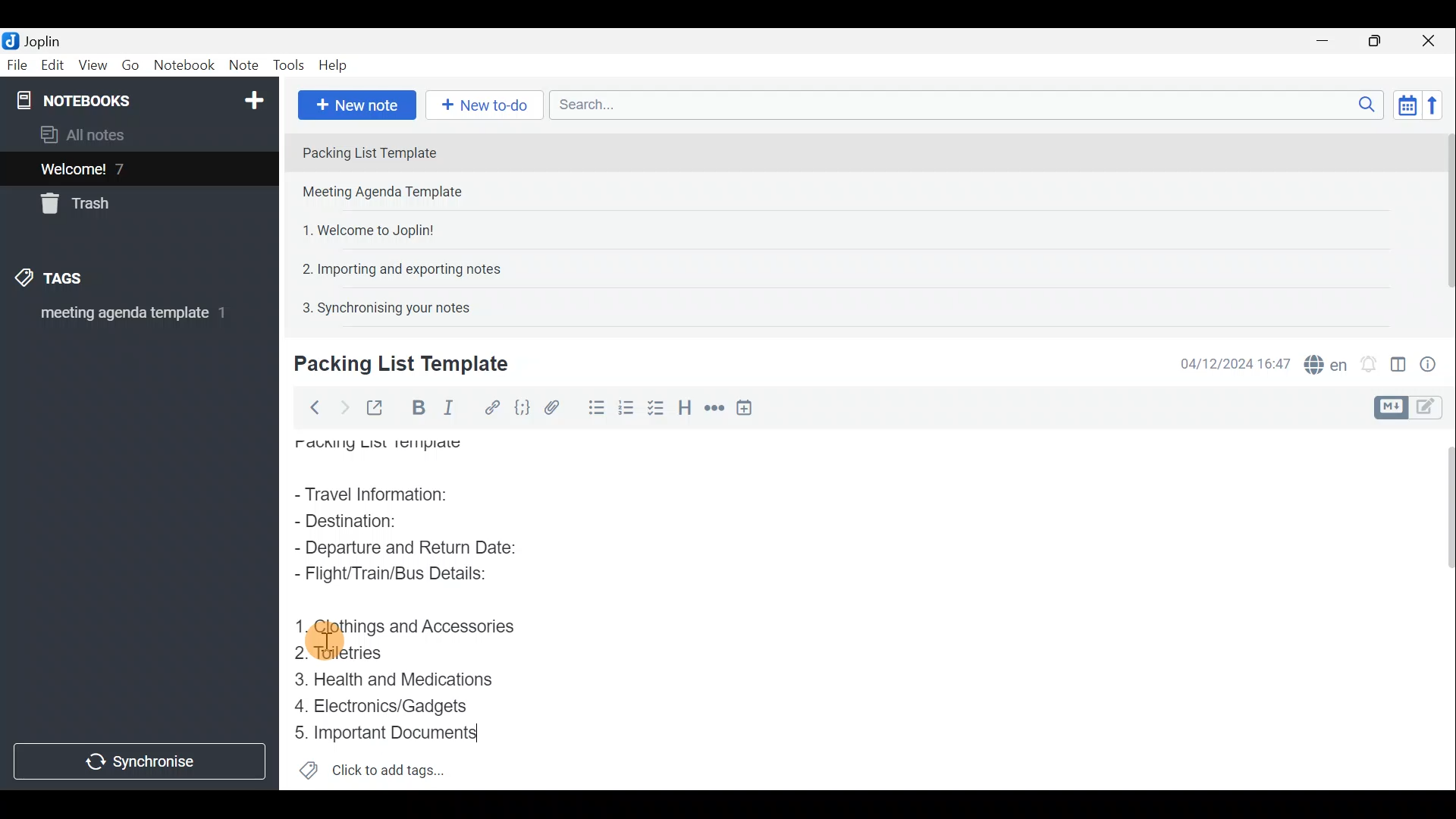 This screenshot has height=819, width=1456. Describe the element at coordinates (94, 65) in the screenshot. I see `View` at that location.